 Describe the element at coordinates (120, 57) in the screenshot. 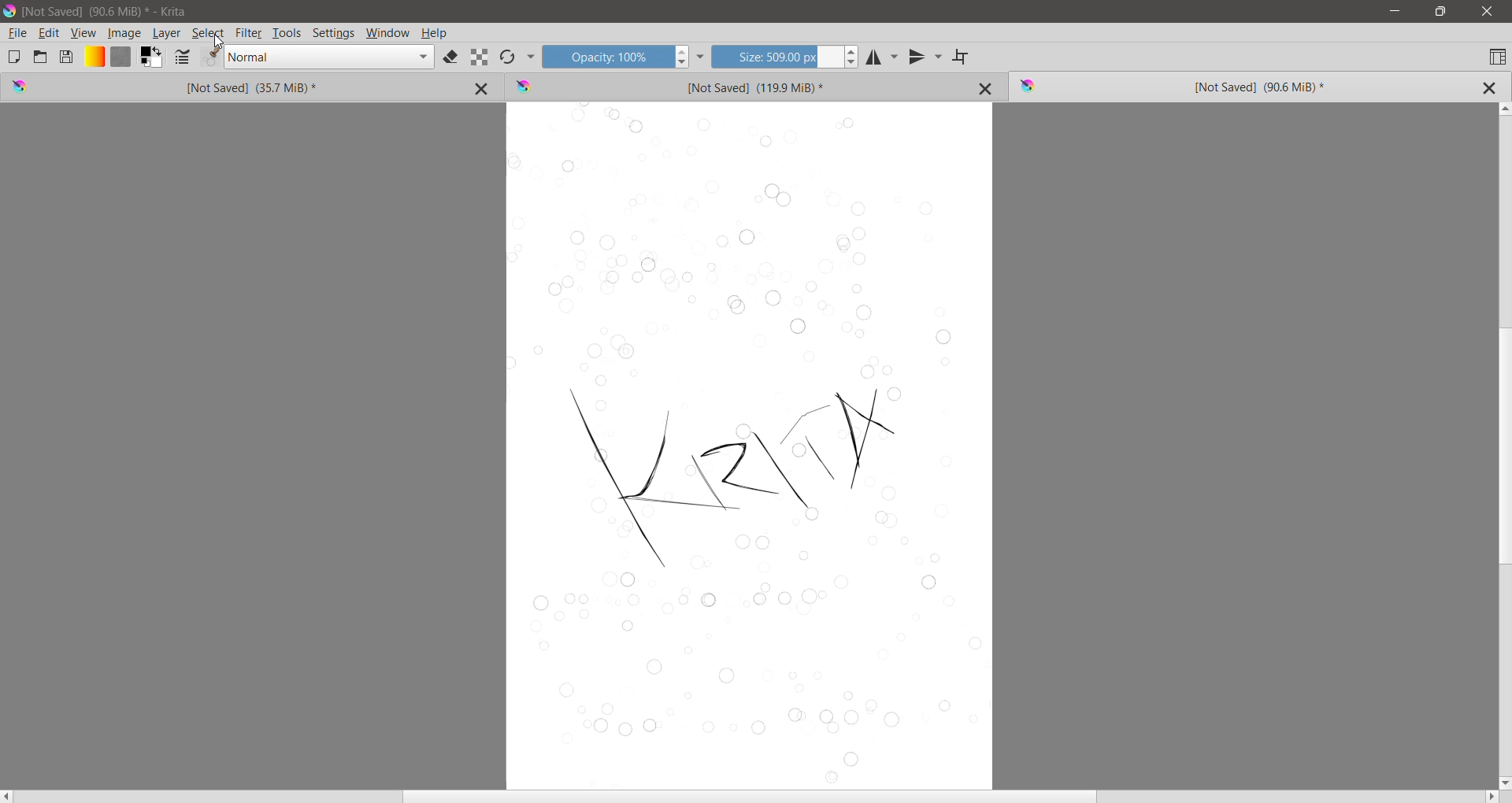

I see `Fill Patterns` at that location.